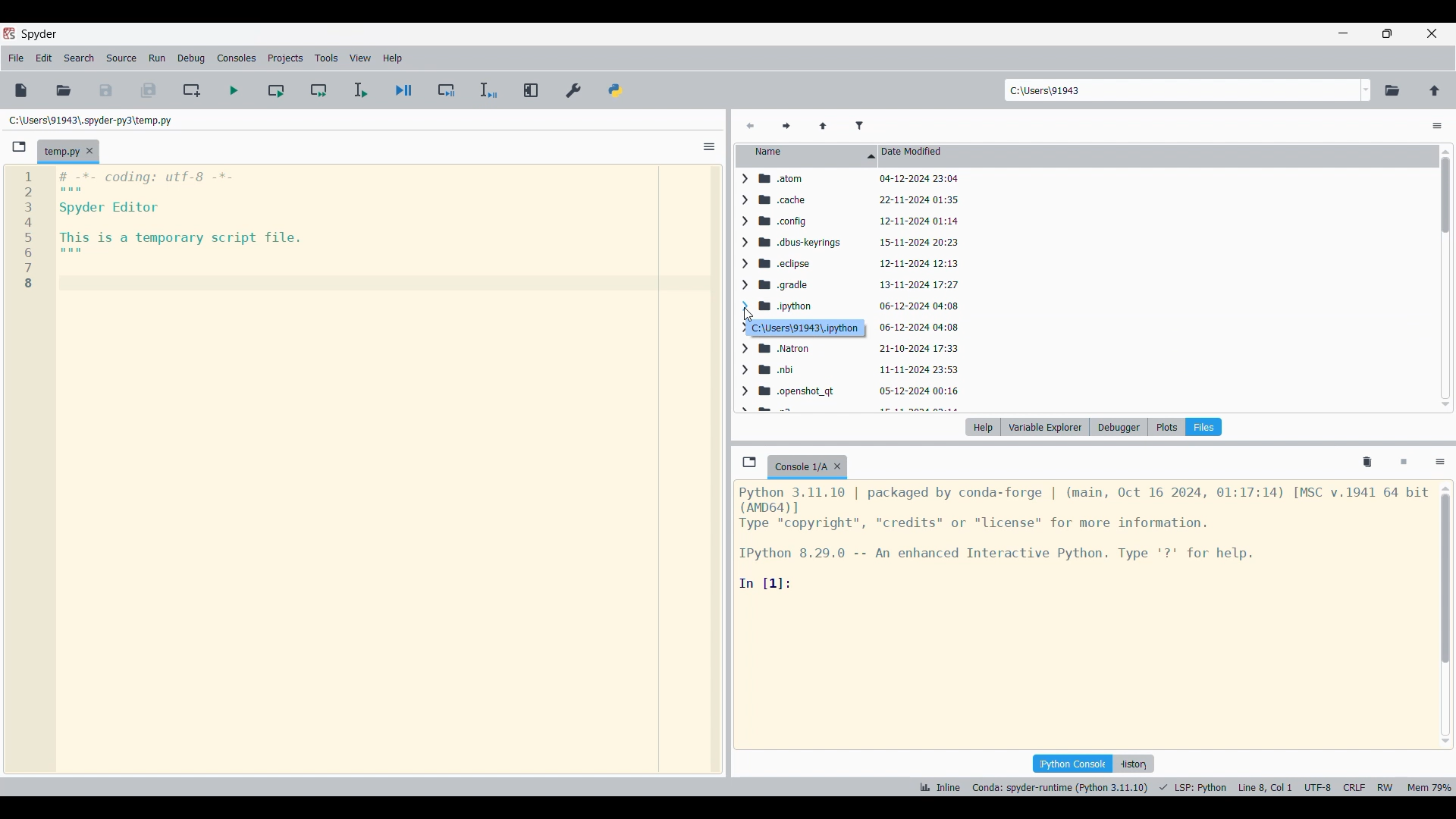  Describe the element at coordinates (44, 58) in the screenshot. I see `Edit menu` at that location.